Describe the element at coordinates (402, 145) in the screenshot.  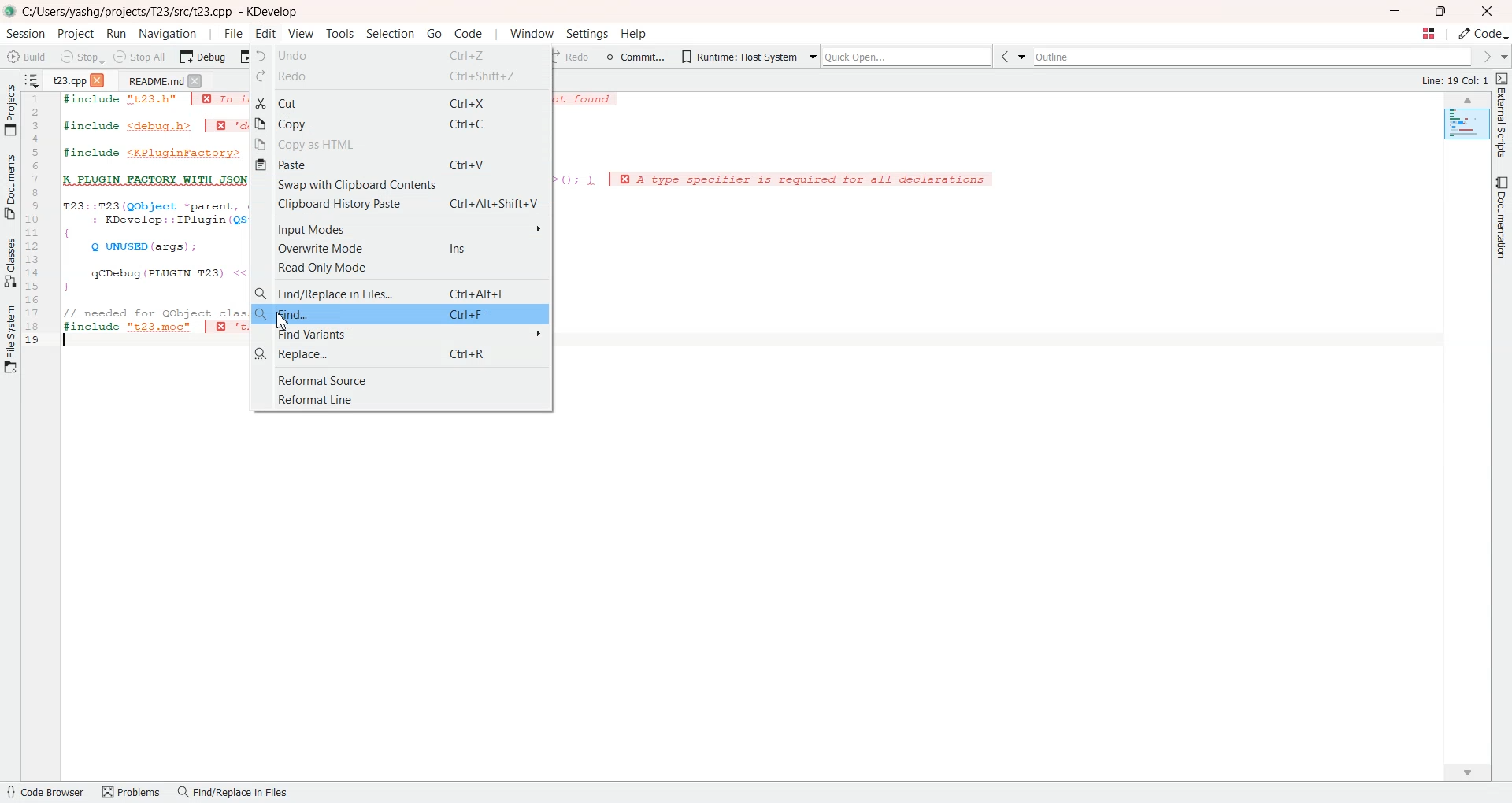
I see `Copy as HTML` at that location.